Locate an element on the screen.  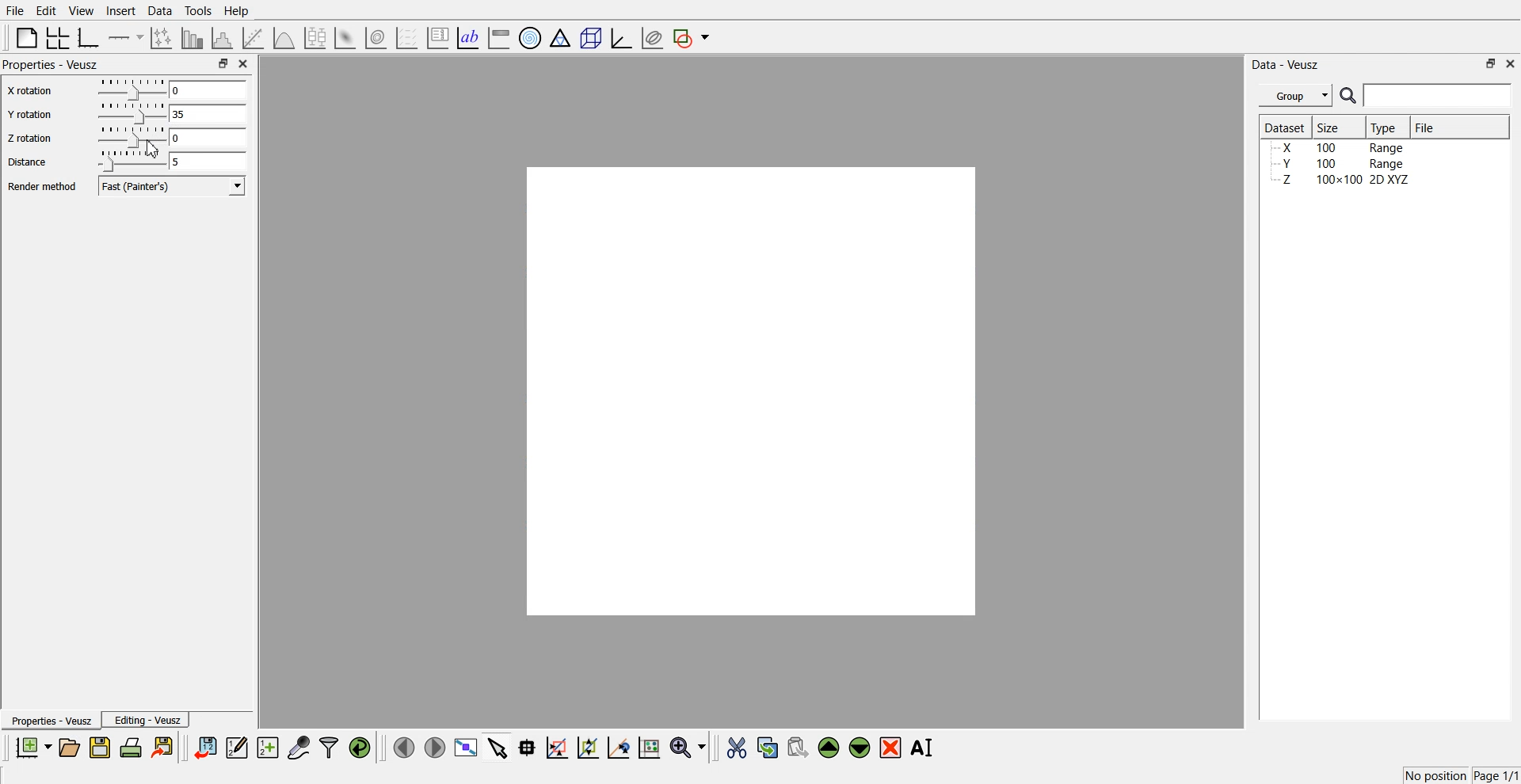
Import dataset from veusz is located at coordinates (205, 747).